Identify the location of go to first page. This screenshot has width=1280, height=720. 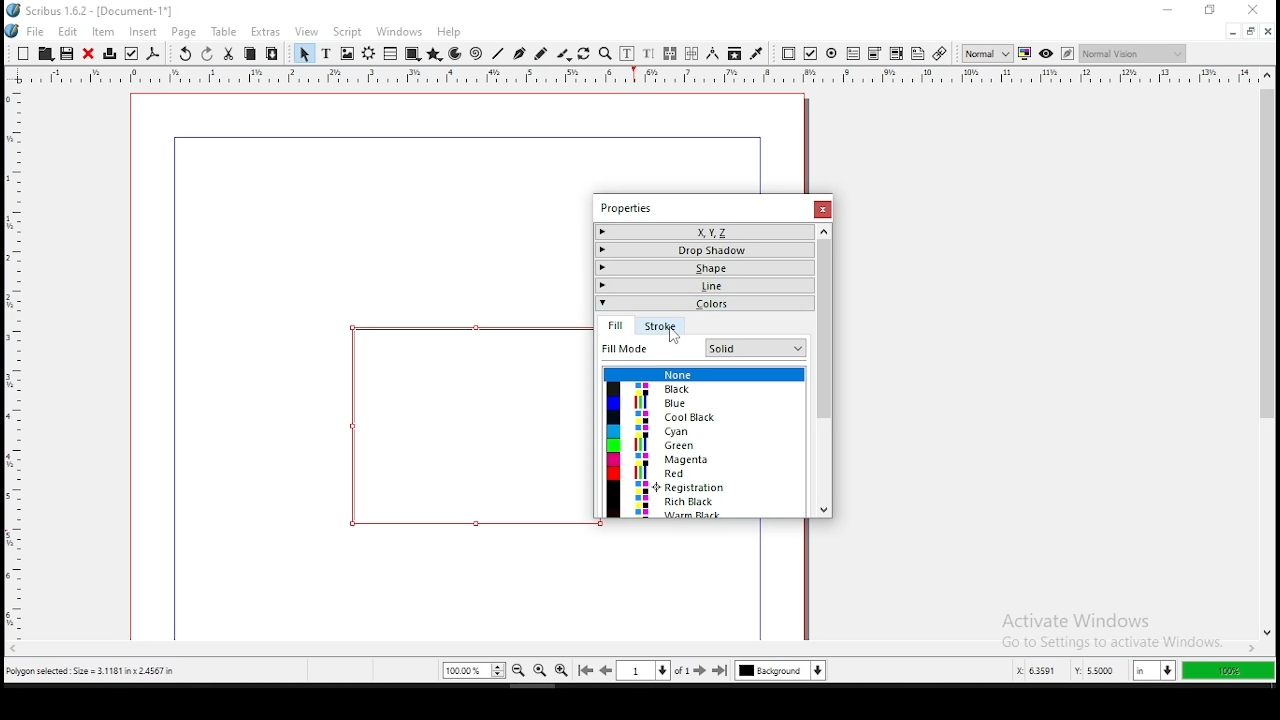
(586, 672).